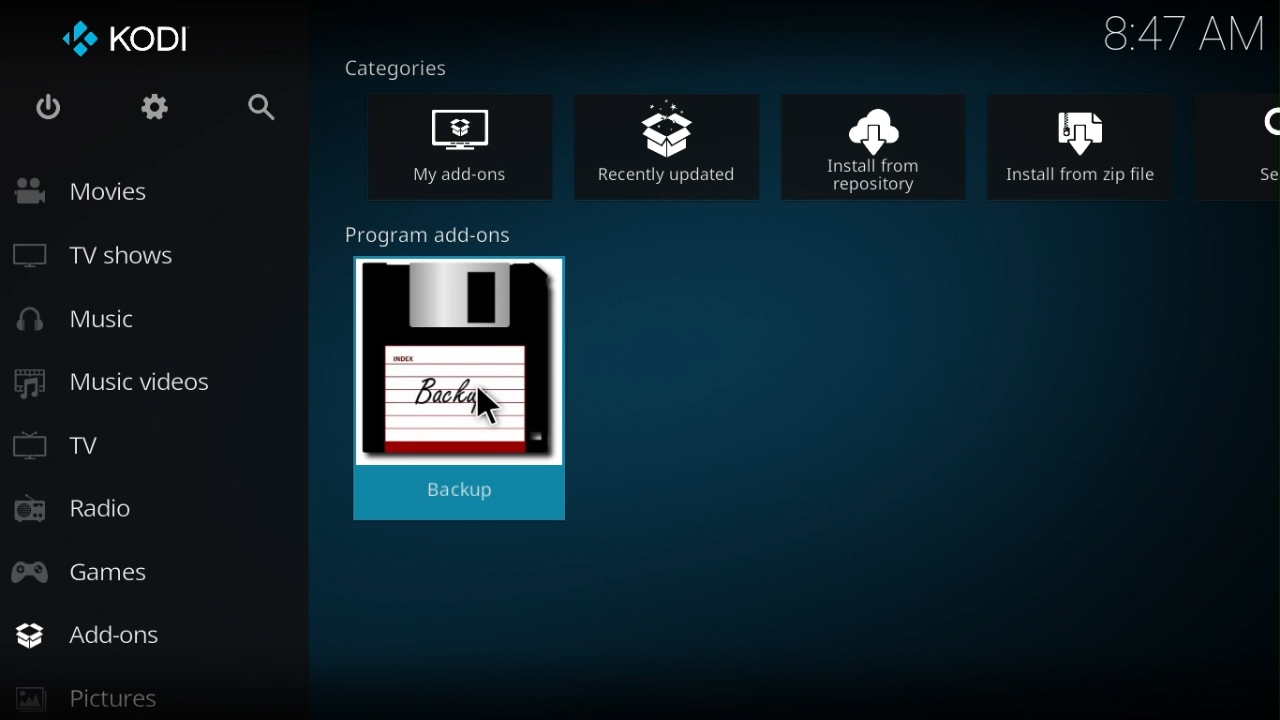  I want to click on Categories, so click(407, 66).